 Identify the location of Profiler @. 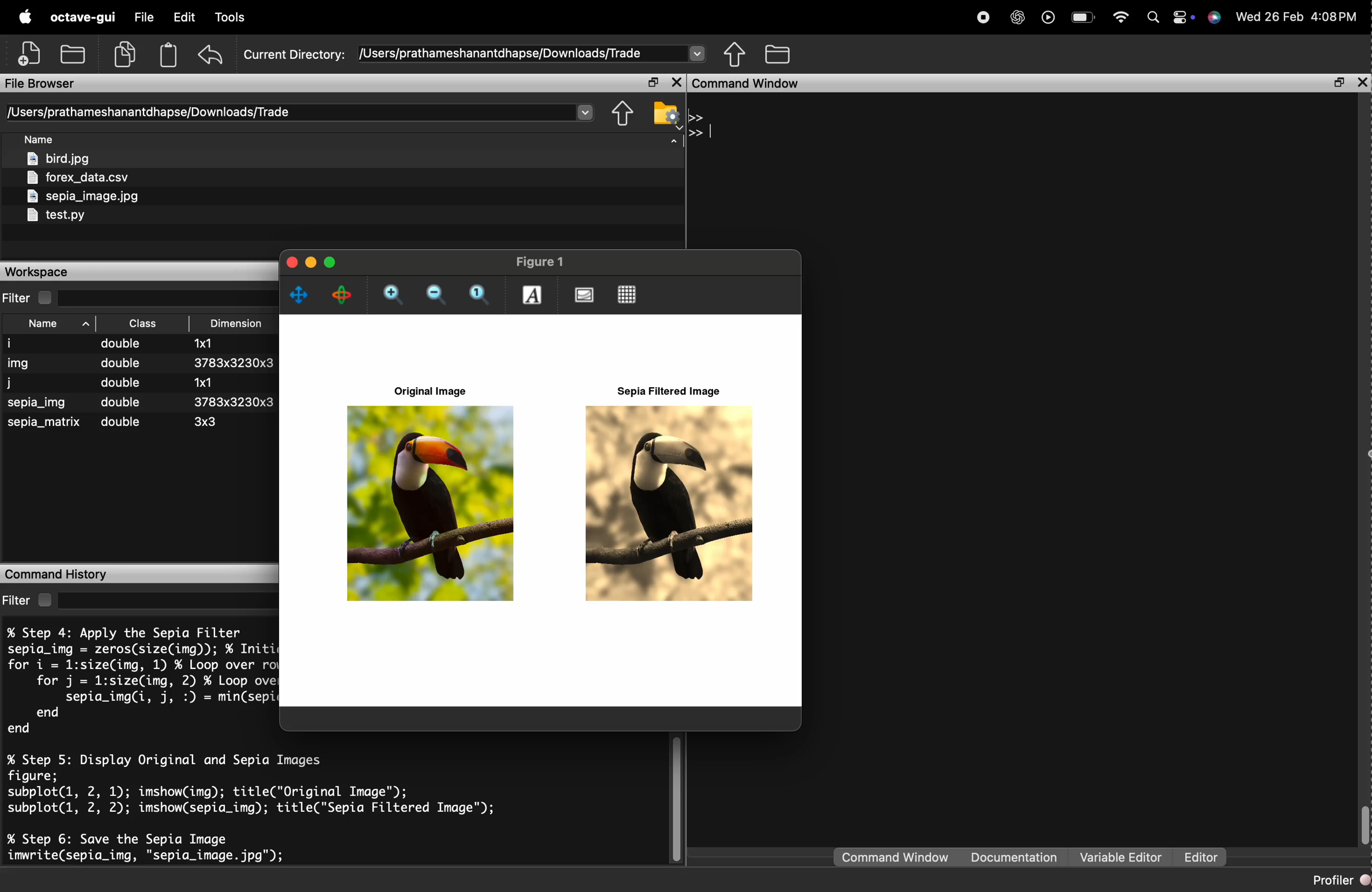
(1340, 879).